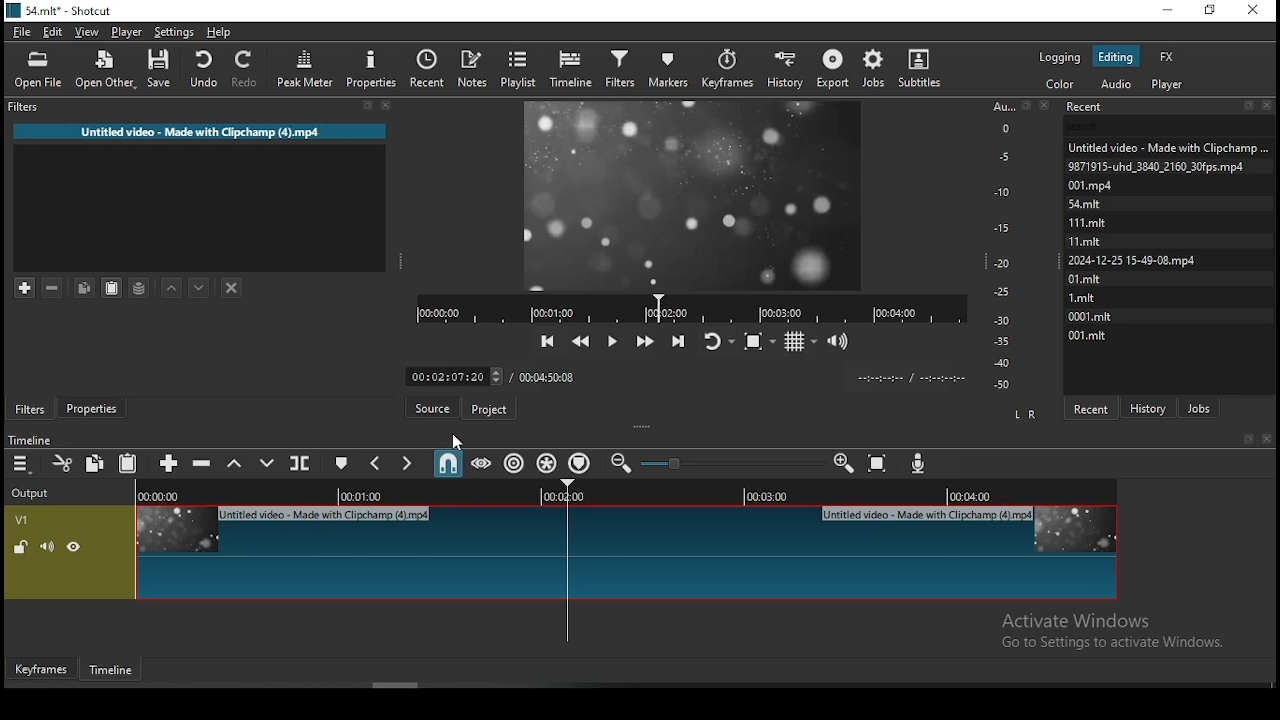 This screenshot has width=1280, height=720. Describe the element at coordinates (514, 465) in the screenshot. I see `ripple` at that location.